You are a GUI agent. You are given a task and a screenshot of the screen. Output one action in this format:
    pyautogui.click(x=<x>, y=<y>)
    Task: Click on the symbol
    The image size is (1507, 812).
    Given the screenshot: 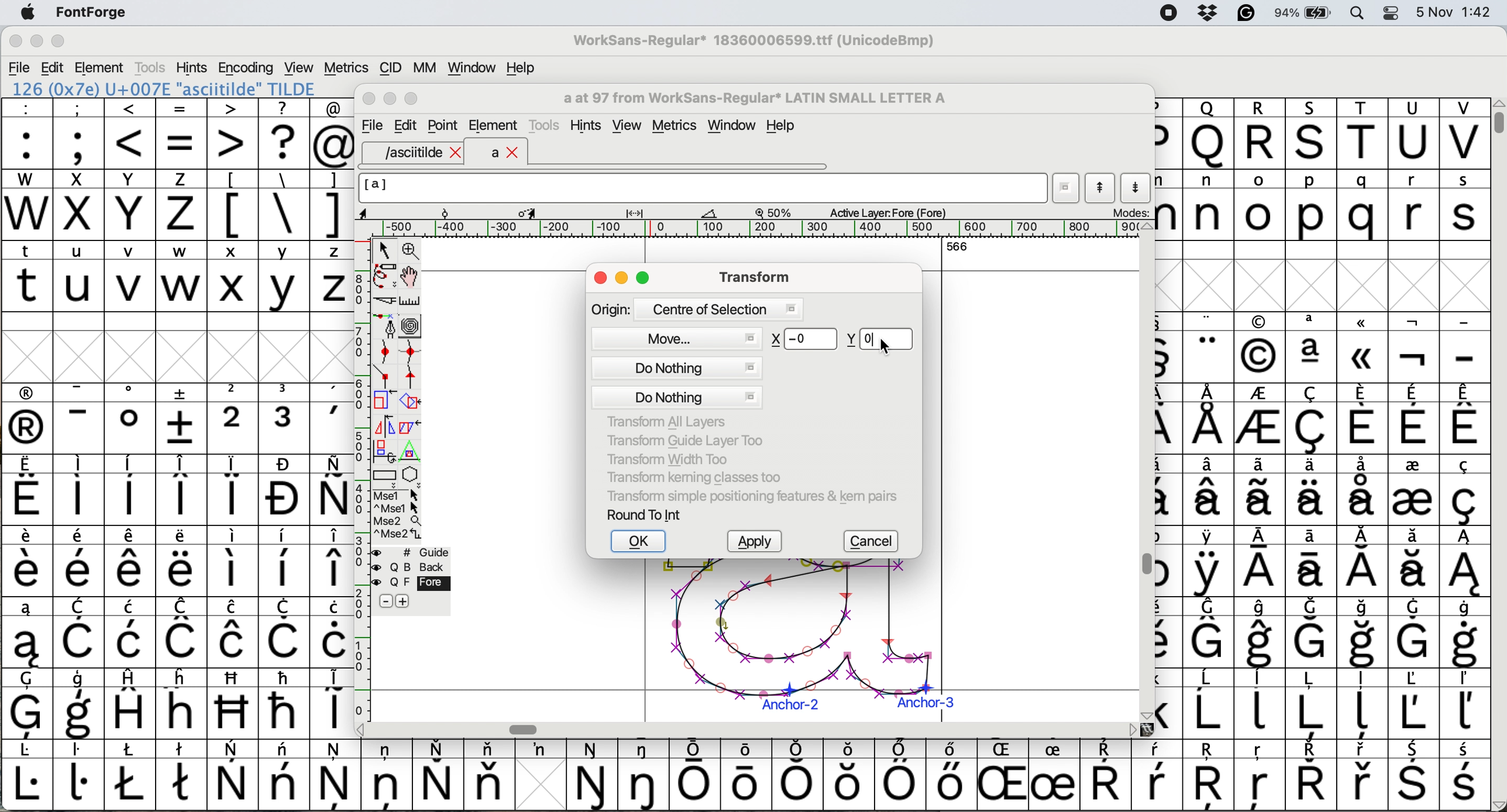 What is the action you would take?
    pyautogui.click(x=1105, y=776)
    